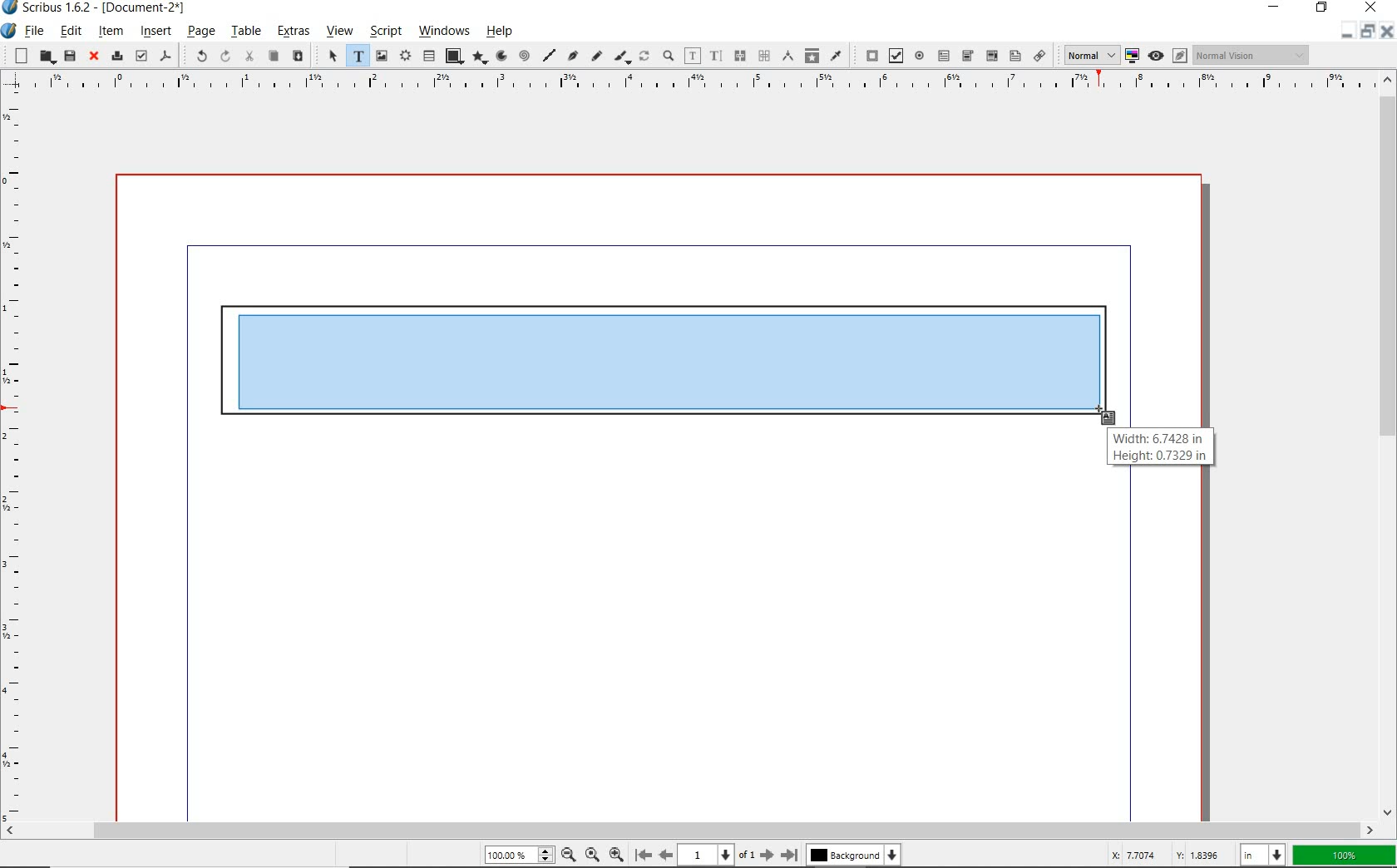  What do you see at coordinates (196, 57) in the screenshot?
I see `undo` at bounding box center [196, 57].